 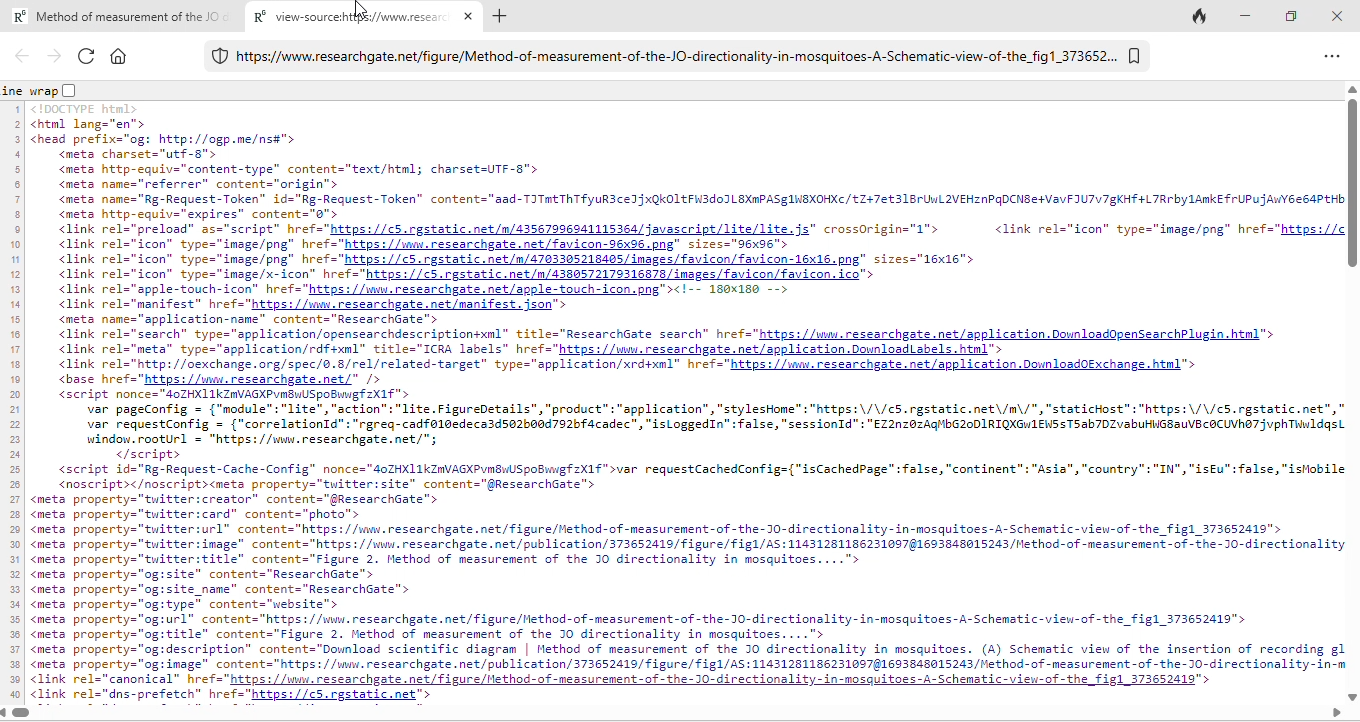 What do you see at coordinates (1350, 184) in the screenshot?
I see `vertical scroll bar` at bounding box center [1350, 184].